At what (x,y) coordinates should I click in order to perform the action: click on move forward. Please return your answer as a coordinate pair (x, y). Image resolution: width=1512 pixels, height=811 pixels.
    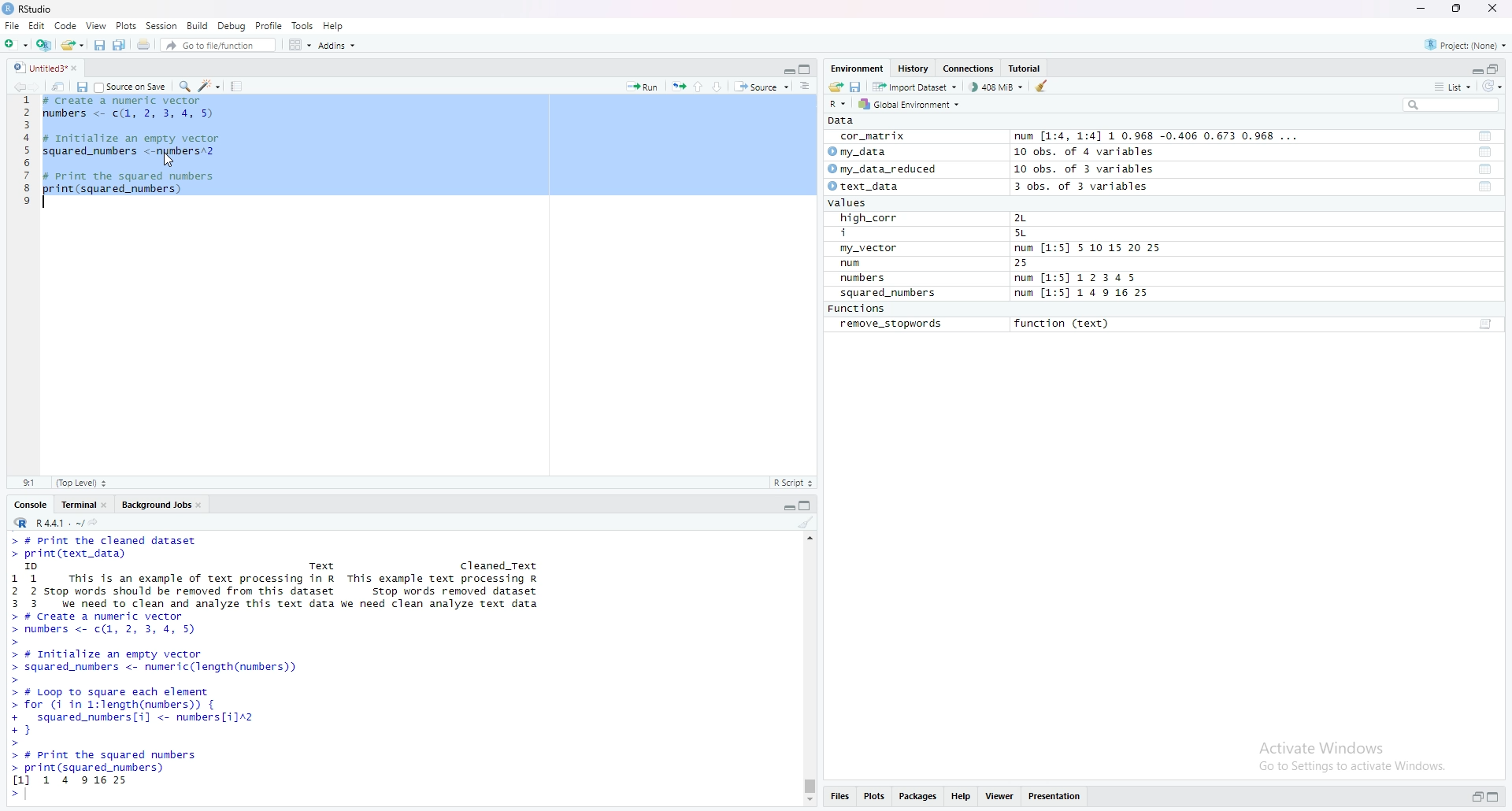
    Looking at the image, I should click on (39, 85).